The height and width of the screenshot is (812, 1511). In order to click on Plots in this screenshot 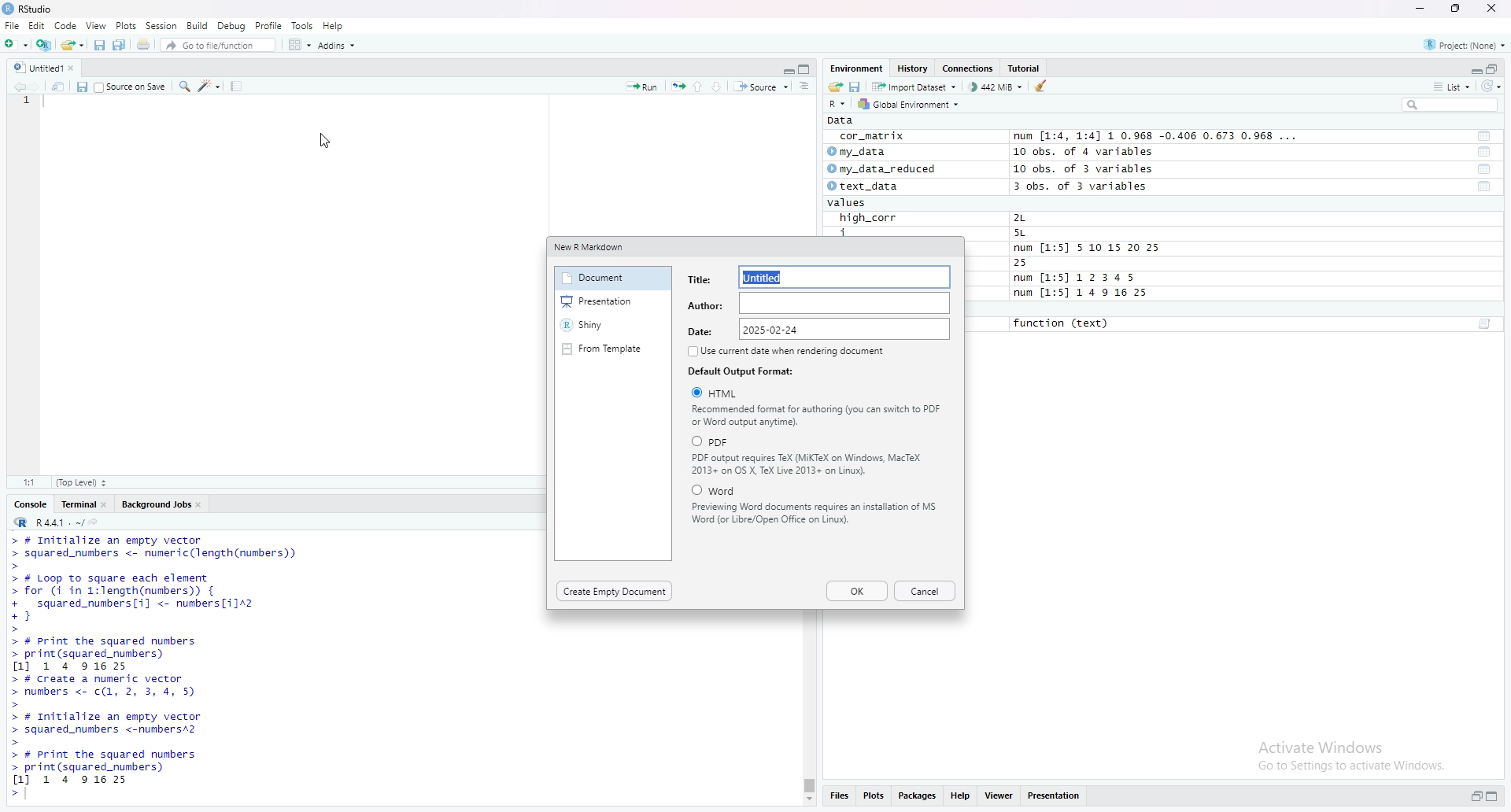, I will do `click(125, 25)`.